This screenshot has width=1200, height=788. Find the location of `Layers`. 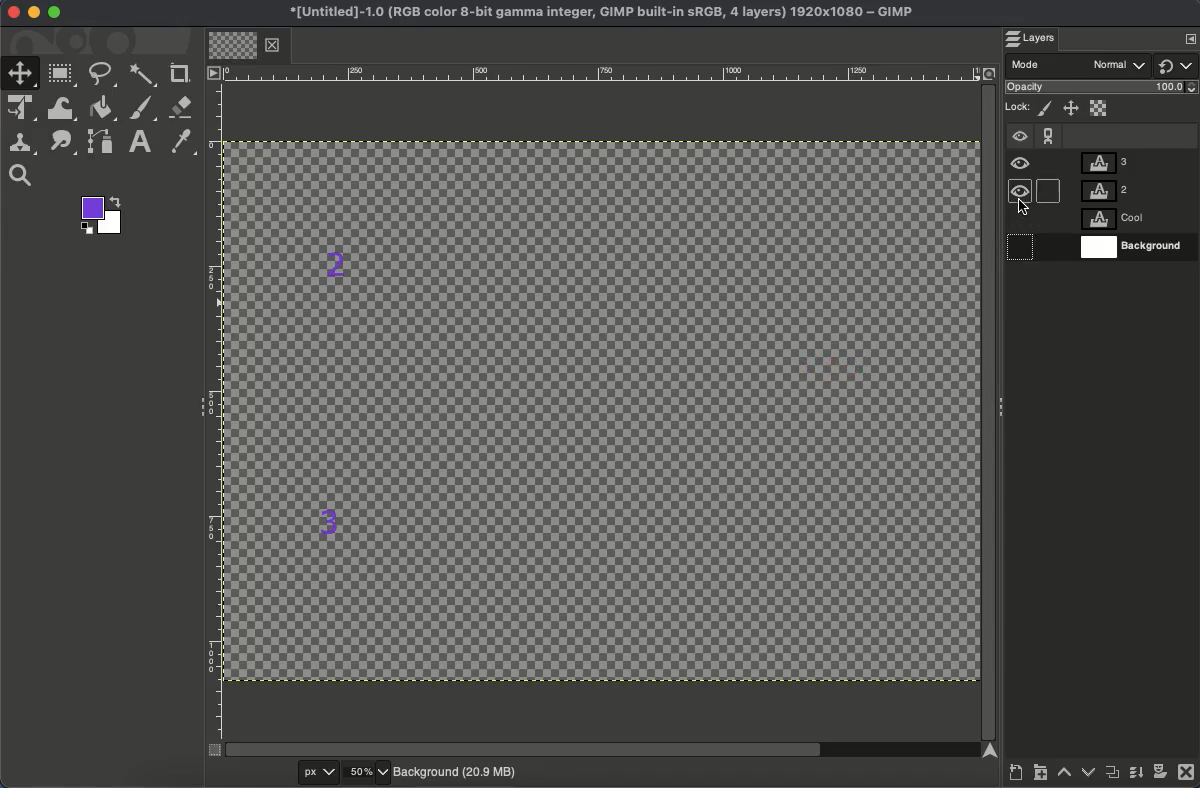

Layers is located at coordinates (1133, 205).